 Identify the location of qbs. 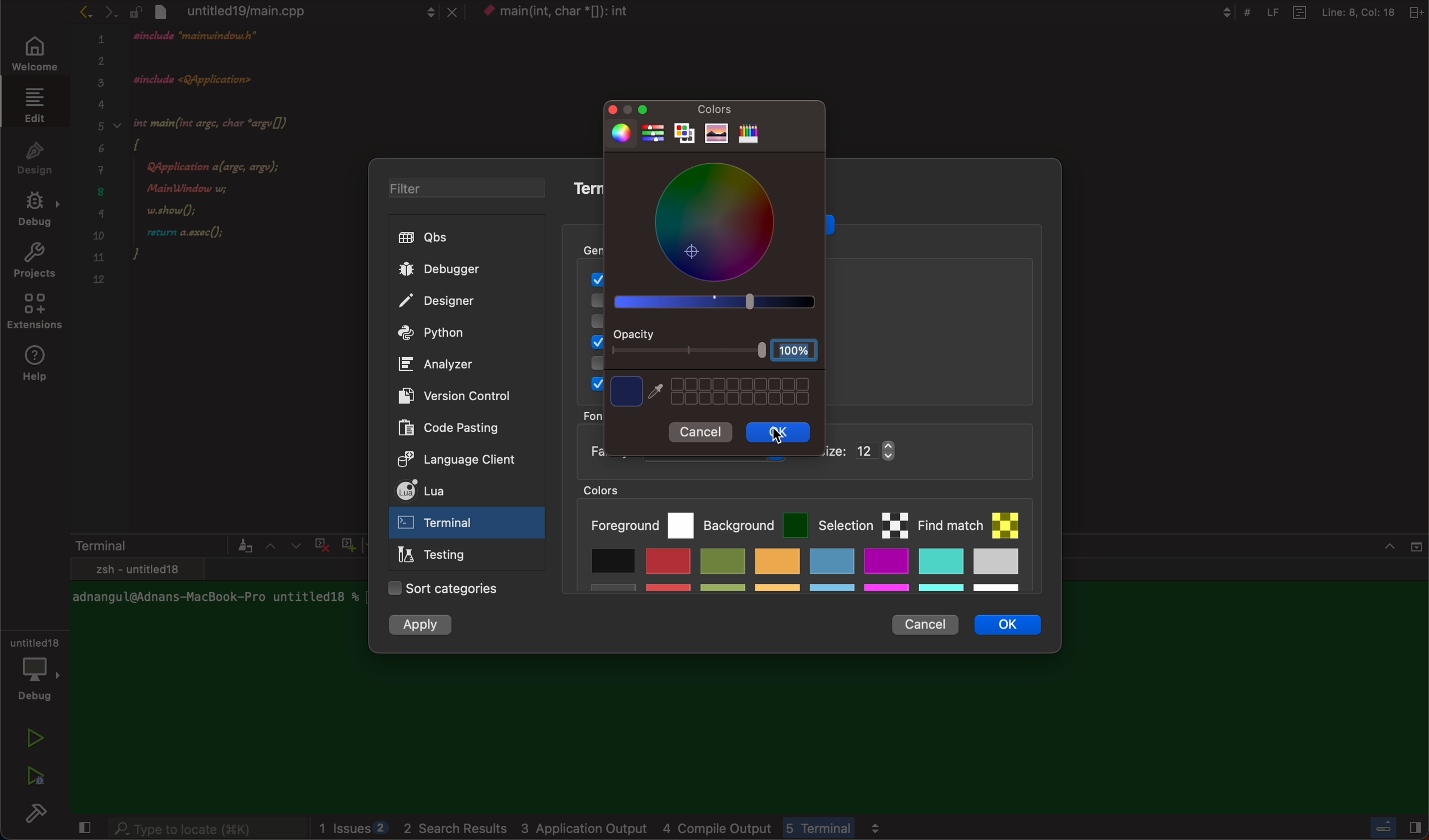
(461, 238).